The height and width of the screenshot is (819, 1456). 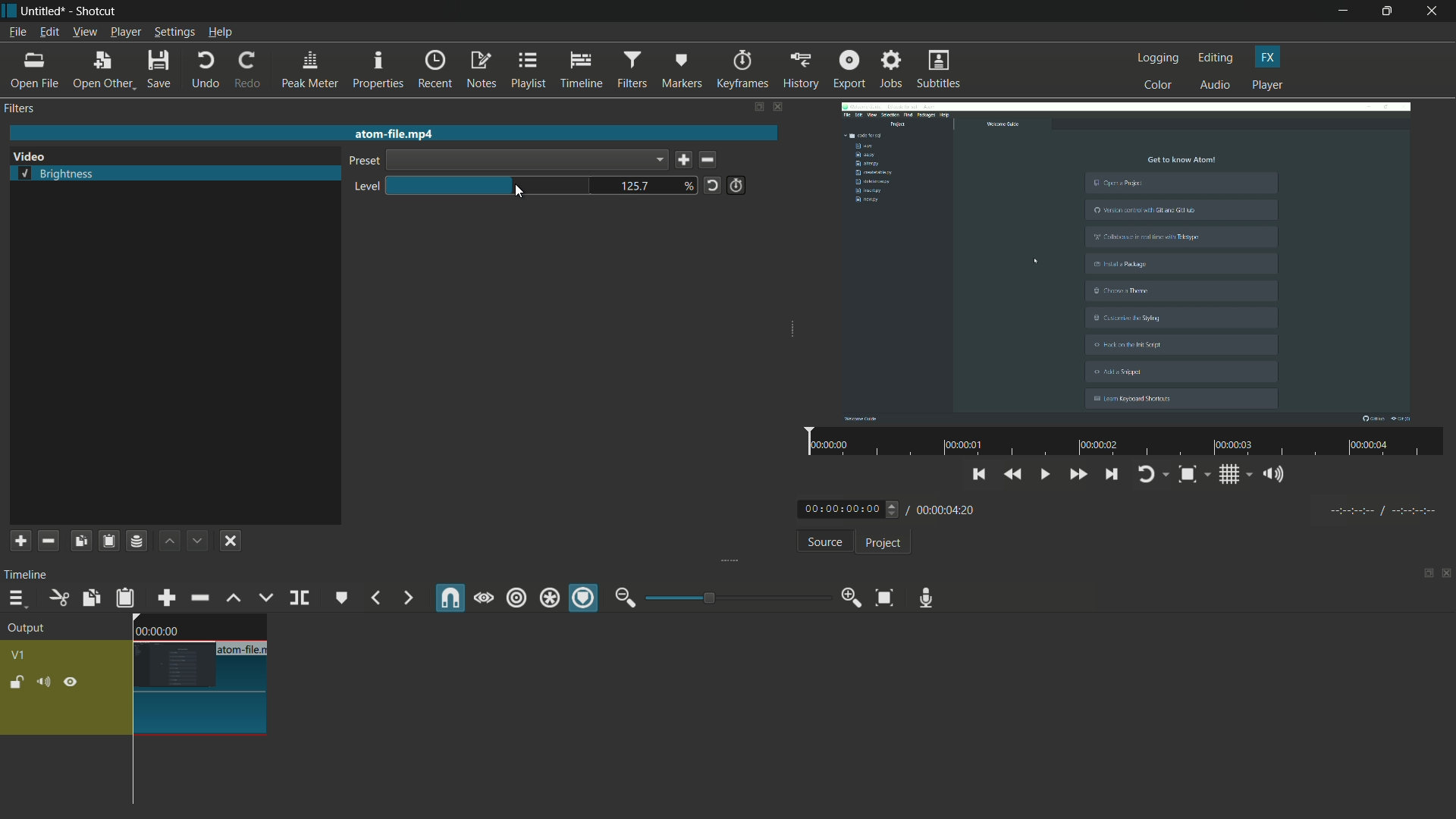 What do you see at coordinates (1079, 476) in the screenshot?
I see `quickly play forward` at bounding box center [1079, 476].